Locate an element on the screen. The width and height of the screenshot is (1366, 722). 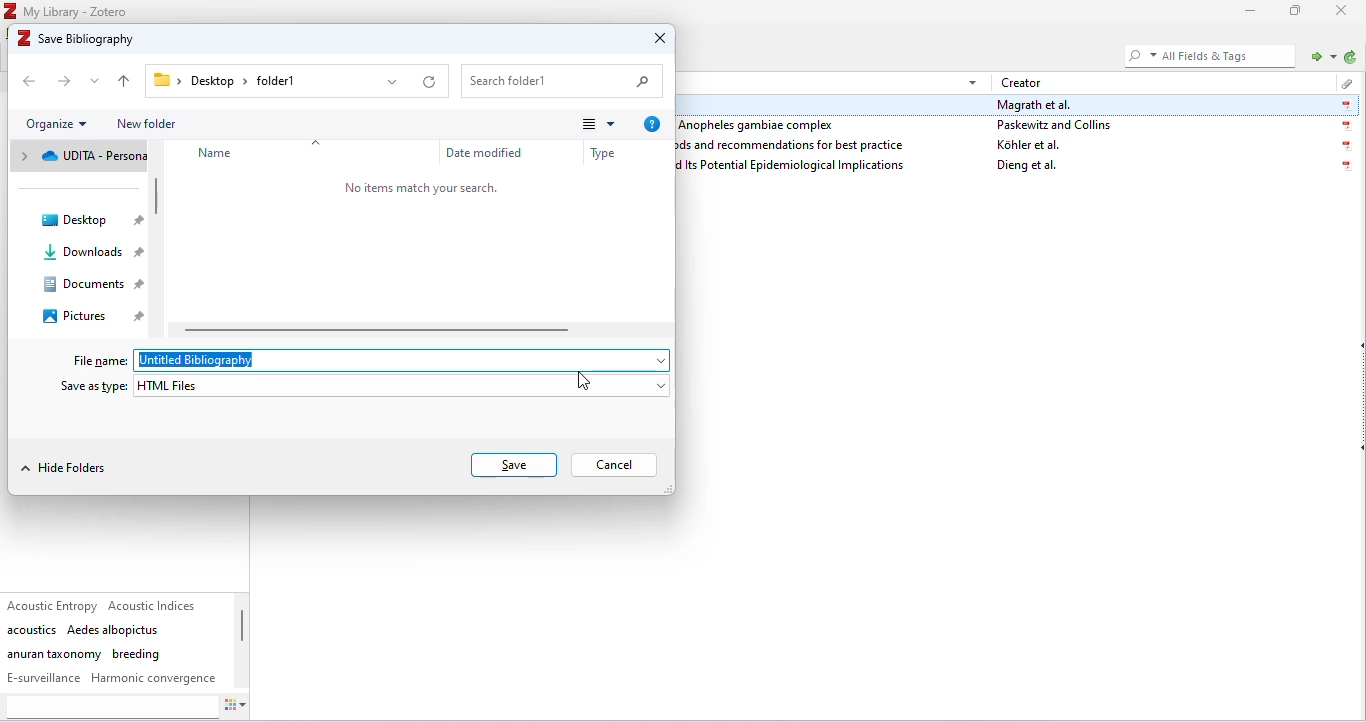
creator is located at coordinates (1023, 82).